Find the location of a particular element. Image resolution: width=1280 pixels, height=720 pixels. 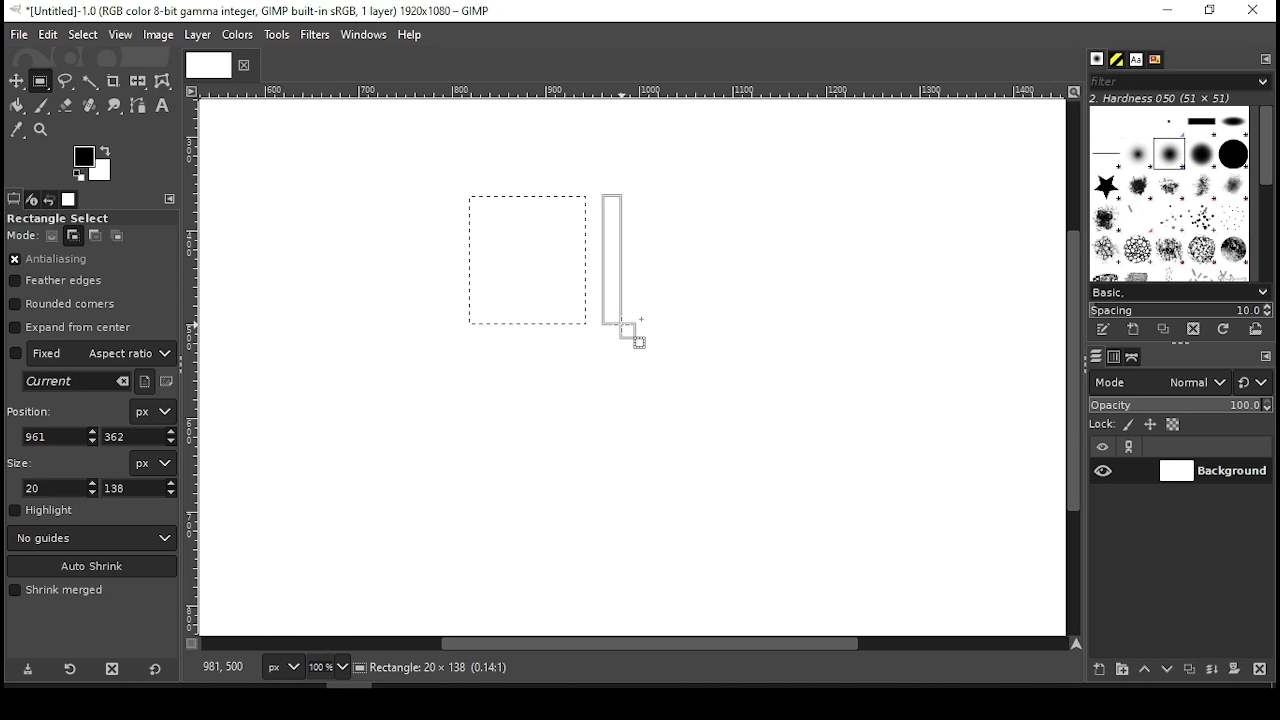

delete tool preset is located at coordinates (118, 668).